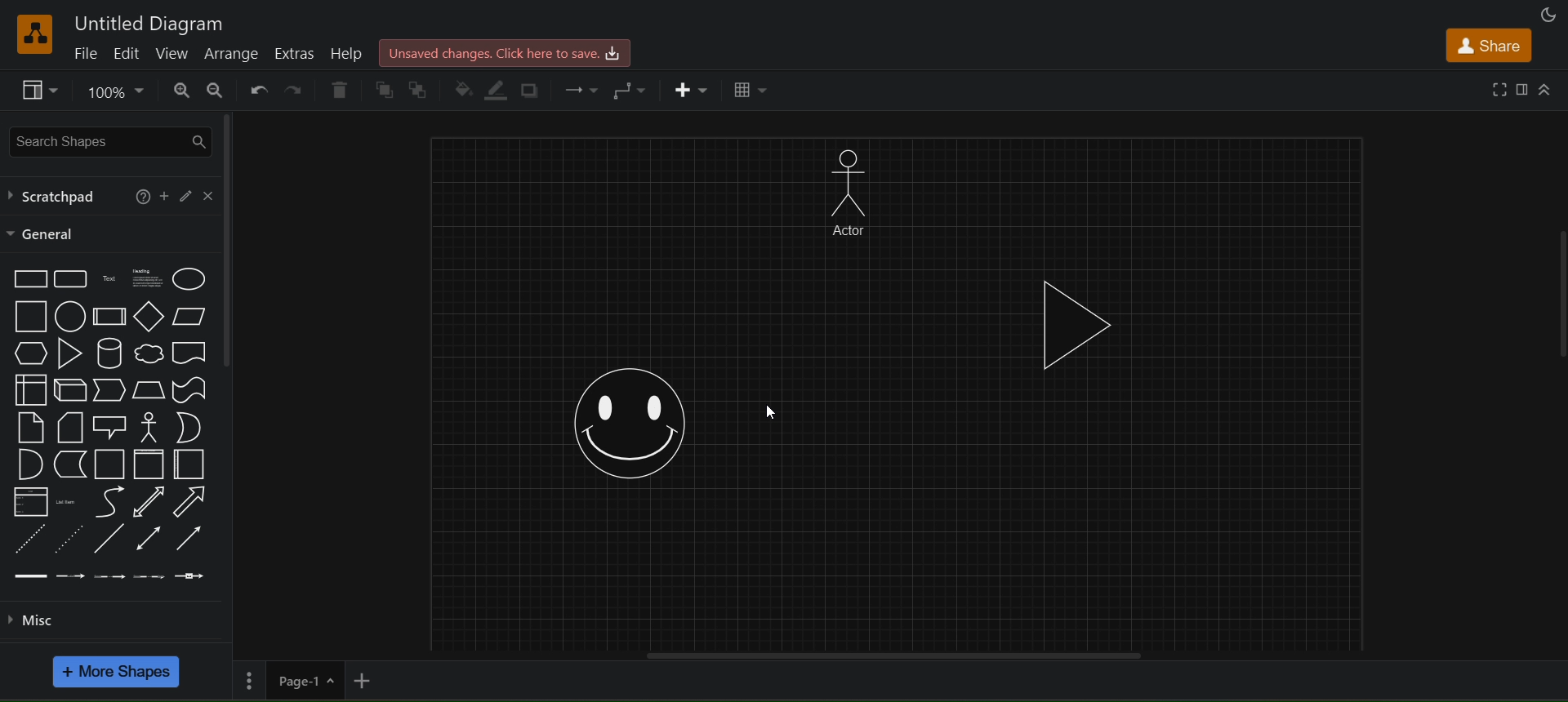 The image size is (1568, 702). I want to click on vertical container, so click(149, 464).